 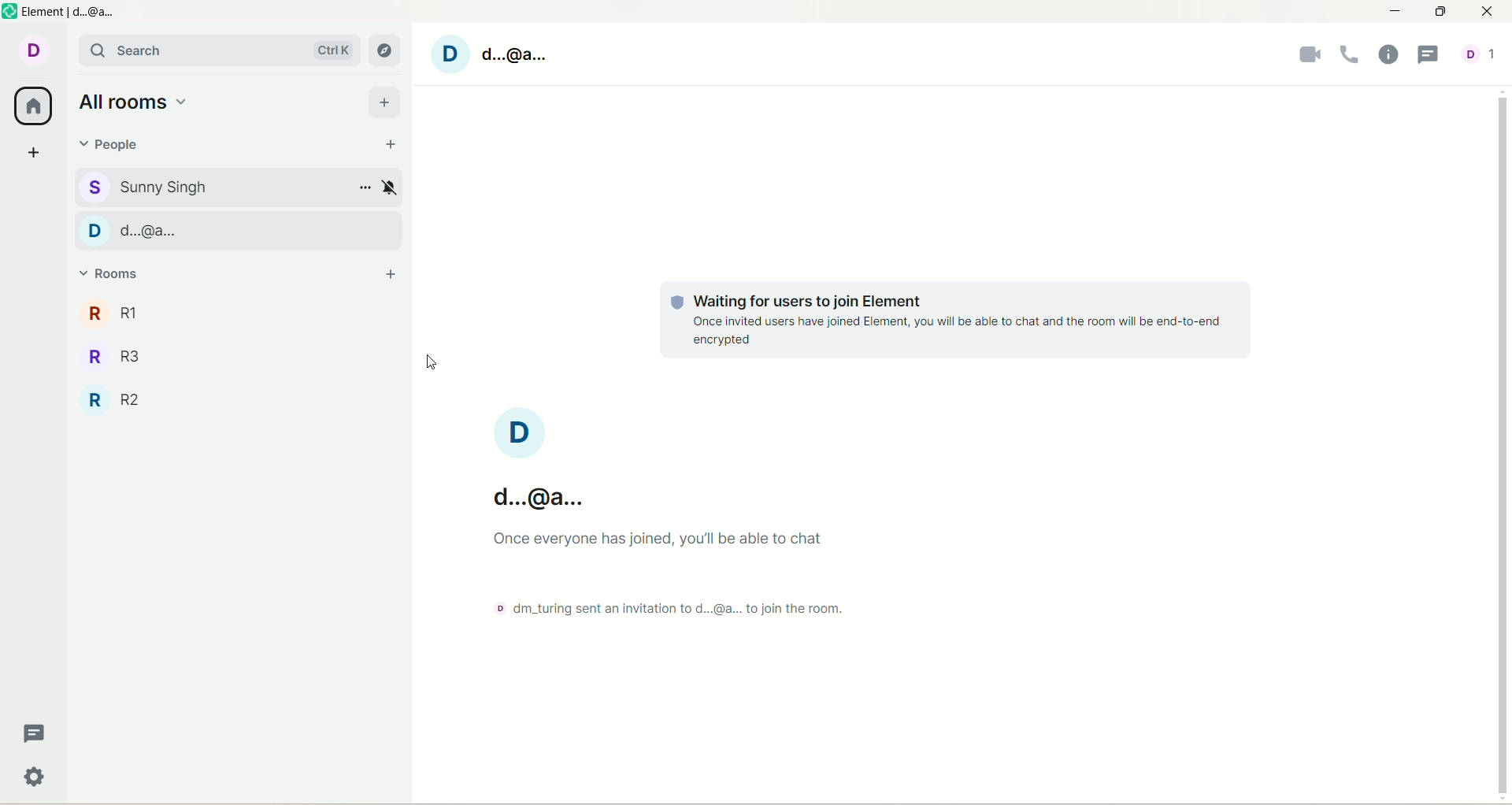 I want to click on account, so click(x=524, y=463).